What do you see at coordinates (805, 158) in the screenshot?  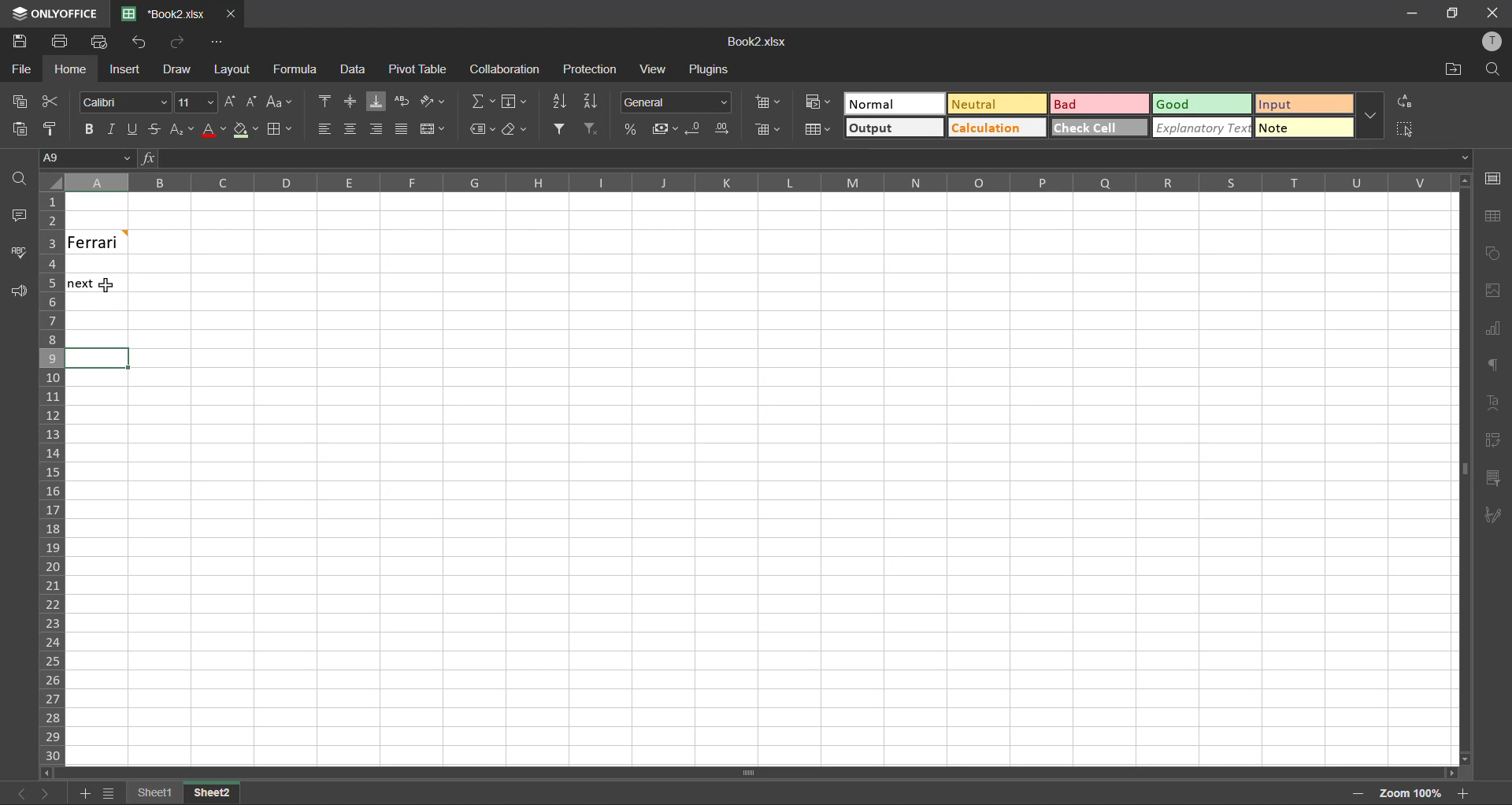 I see `formula bar` at bounding box center [805, 158].